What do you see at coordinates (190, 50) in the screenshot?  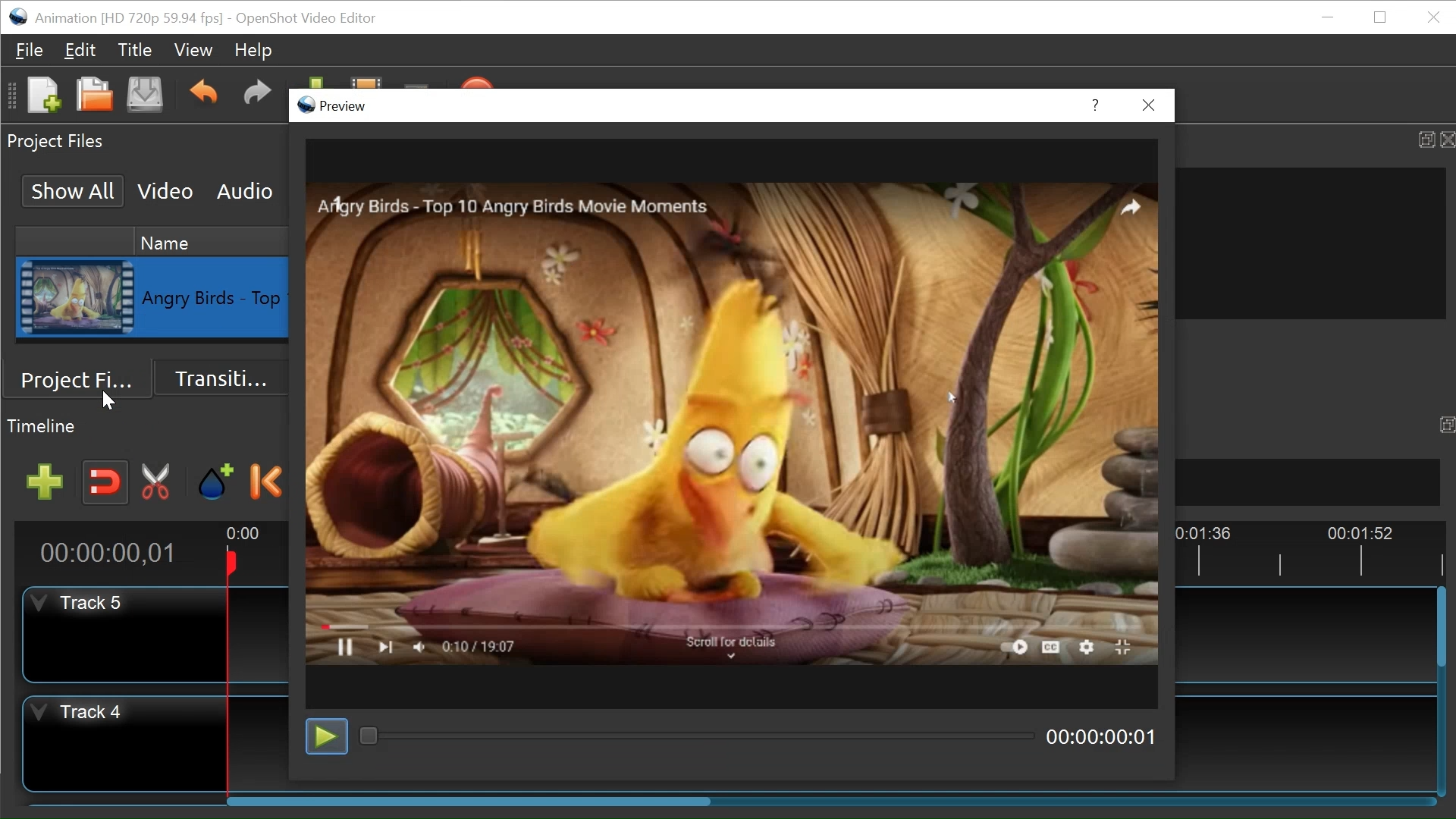 I see `View` at bounding box center [190, 50].